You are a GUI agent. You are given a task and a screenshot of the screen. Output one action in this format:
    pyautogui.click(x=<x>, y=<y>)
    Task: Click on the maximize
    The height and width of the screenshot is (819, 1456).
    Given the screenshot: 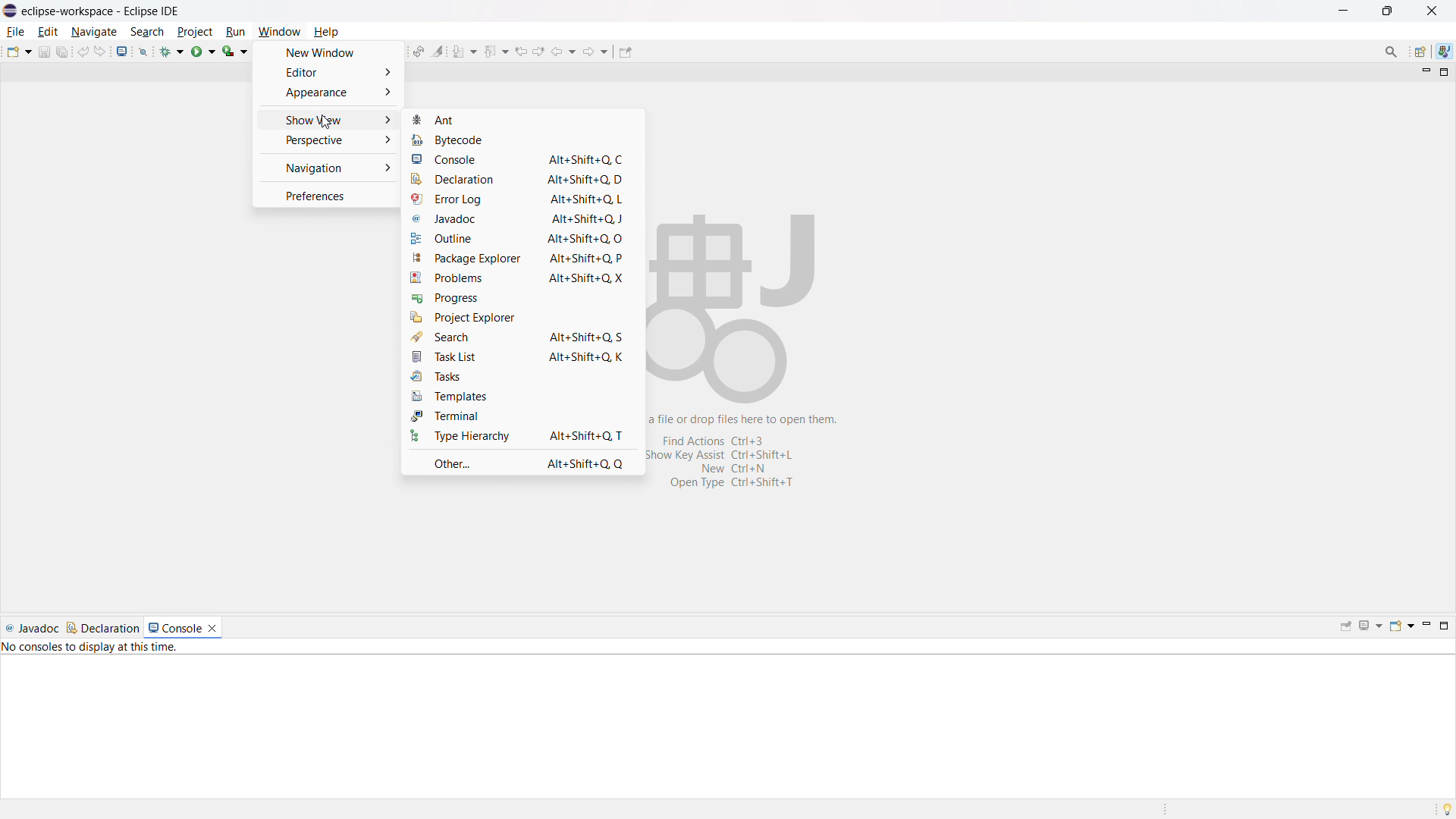 What is the action you would take?
    pyautogui.click(x=1386, y=11)
    